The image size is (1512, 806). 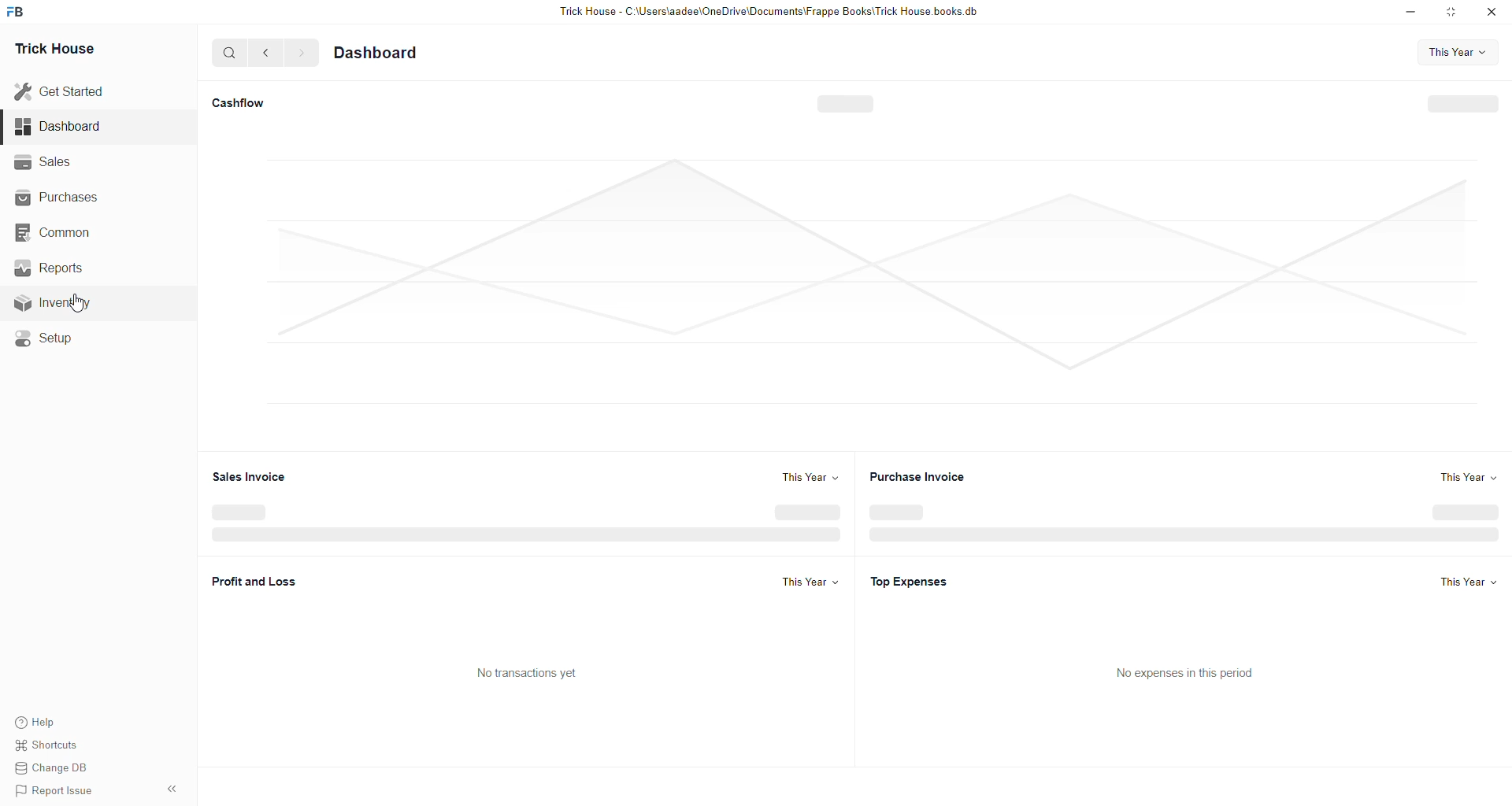 What do you see at coordinates (1410, 15) in the screenshot?
I see `Minimize` at bounding box center [1410, 15].